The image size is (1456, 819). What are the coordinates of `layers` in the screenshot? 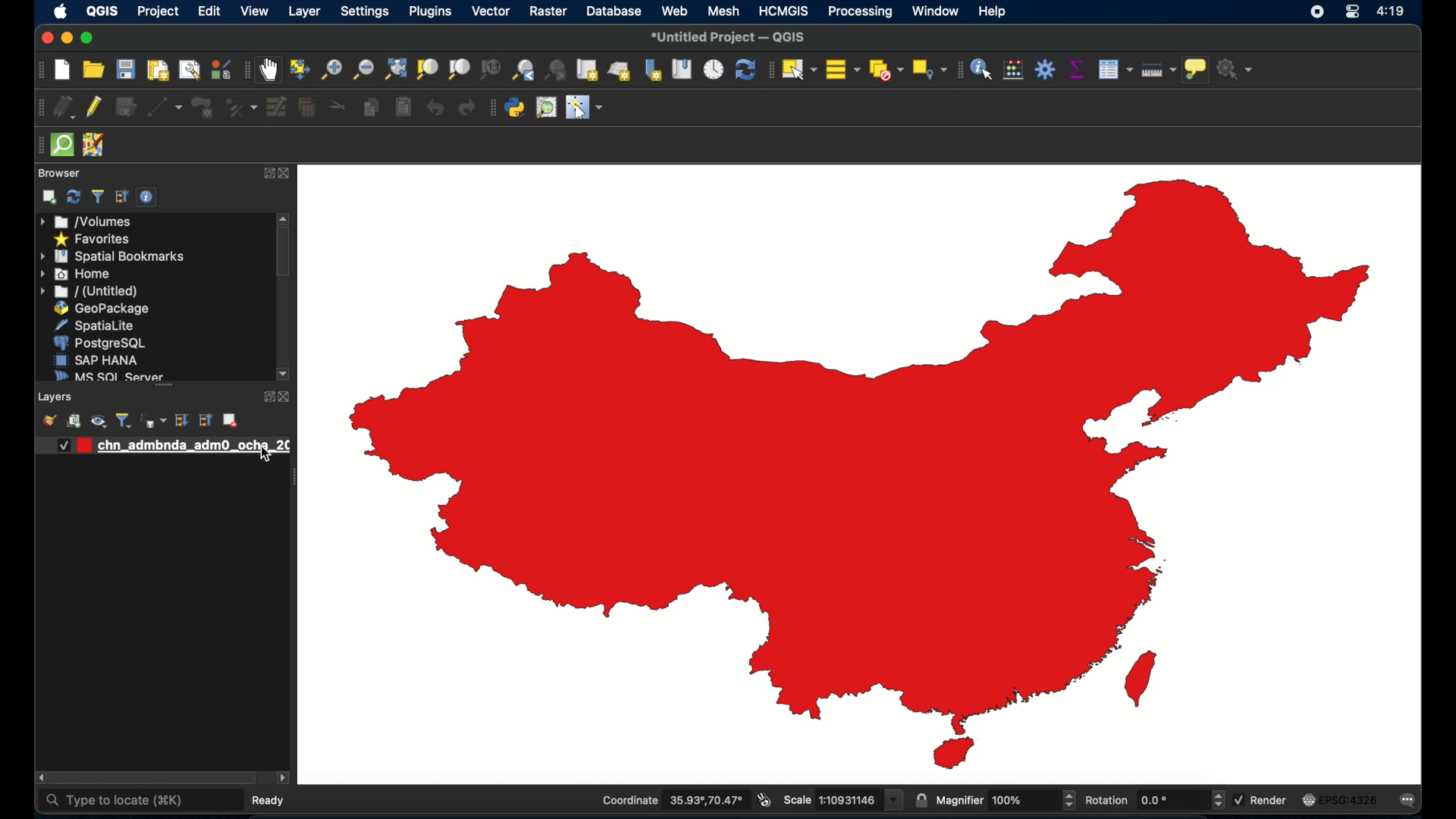 It's located at (57, 397).